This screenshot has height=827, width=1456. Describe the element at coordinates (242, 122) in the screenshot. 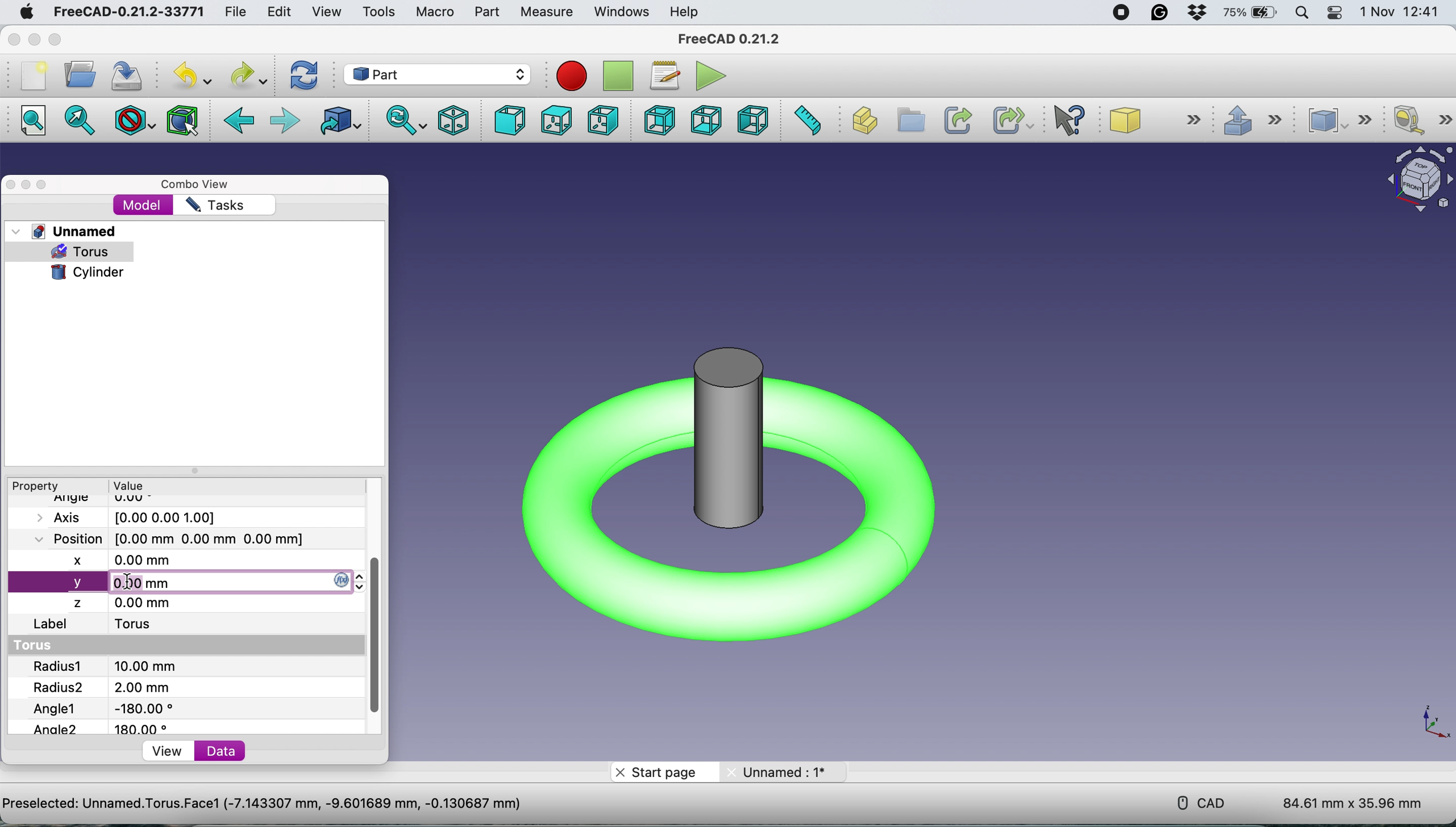

I see `backward` at that location.